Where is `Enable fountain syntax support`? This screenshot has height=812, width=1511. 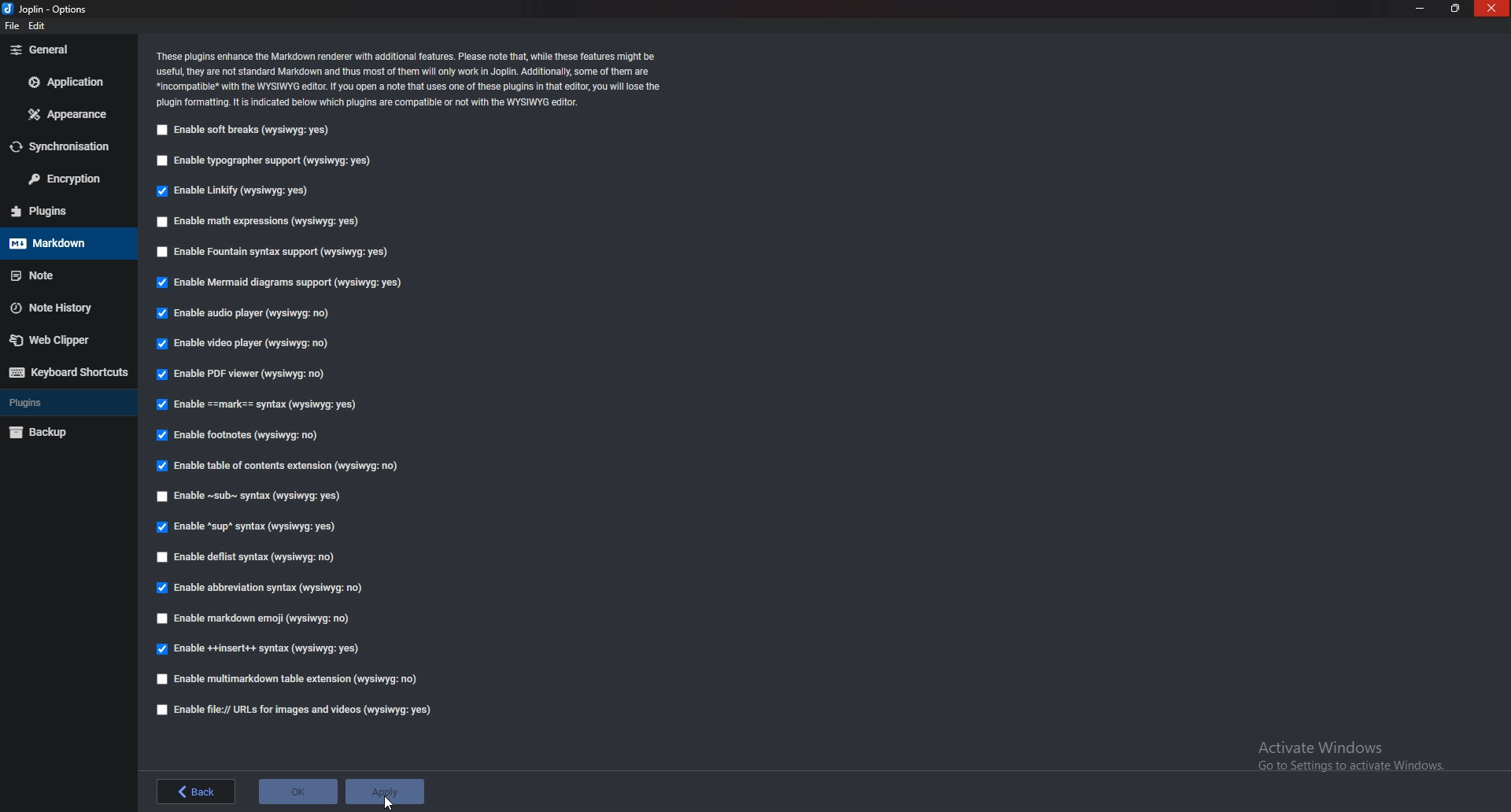
Enable fountain syntax support is located at coordinates (282, 252).